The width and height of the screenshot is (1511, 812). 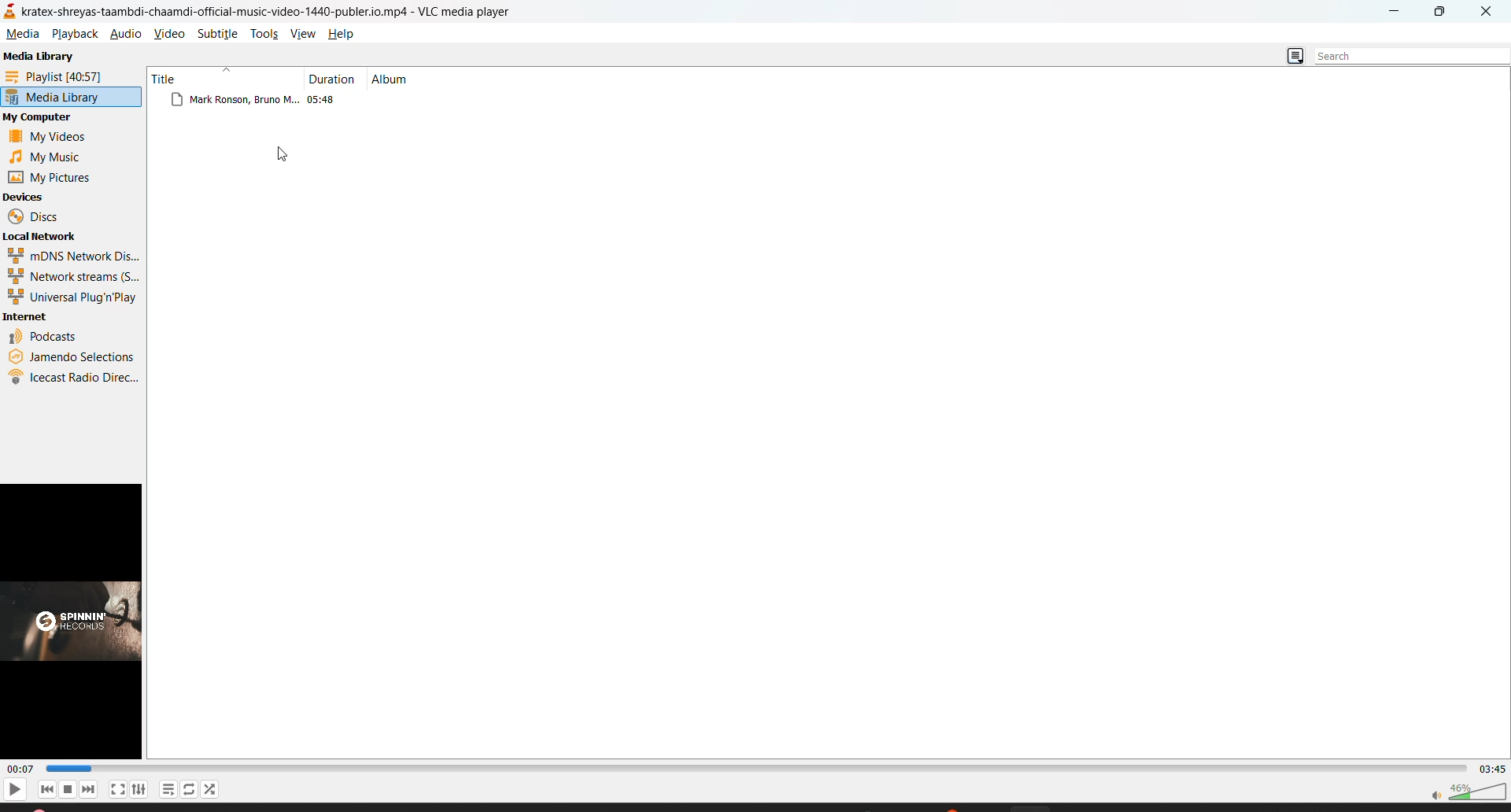 I want to click on fullscreen, so click(x=118, y=788).